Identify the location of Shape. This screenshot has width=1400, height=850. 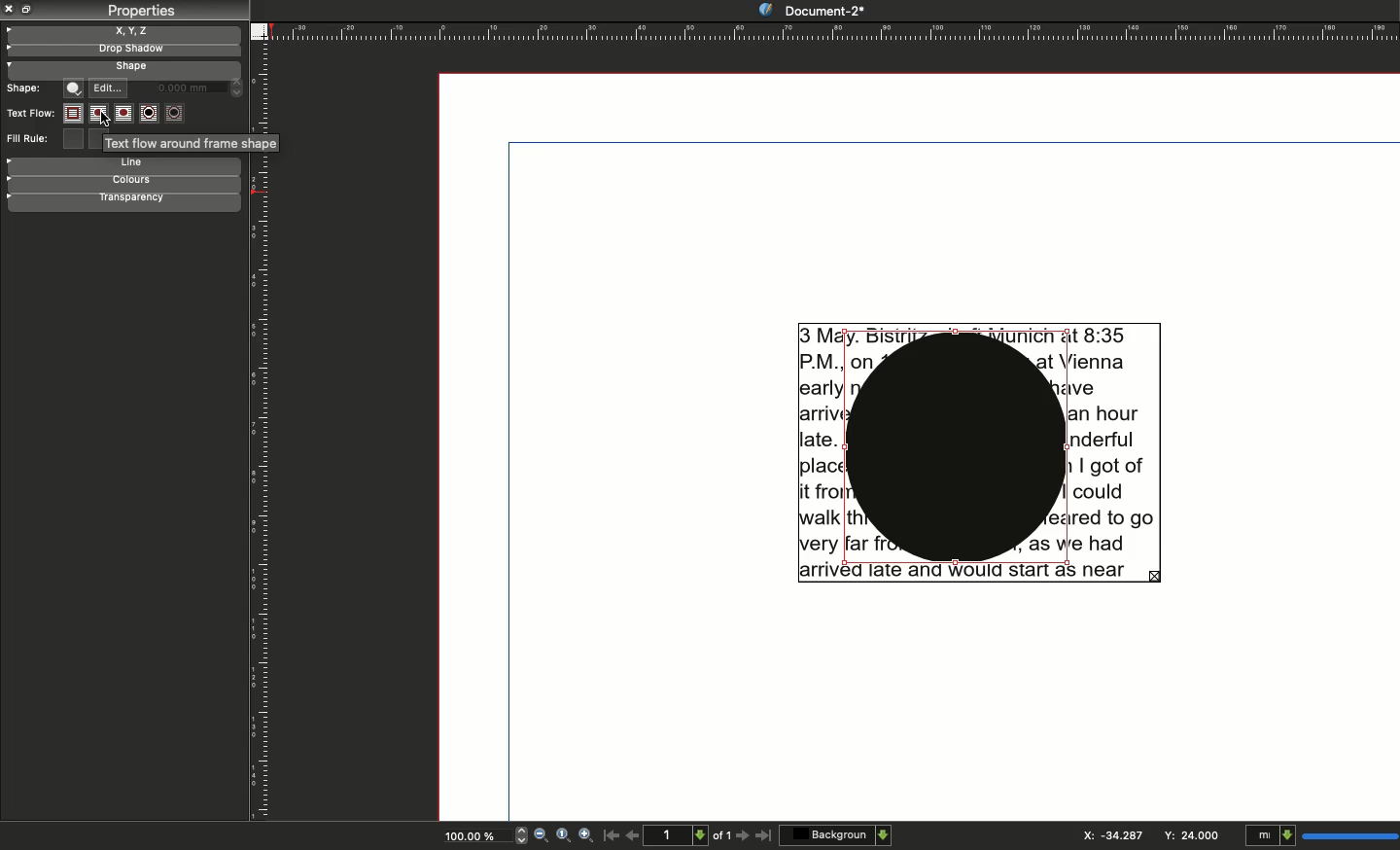
(76, 89).